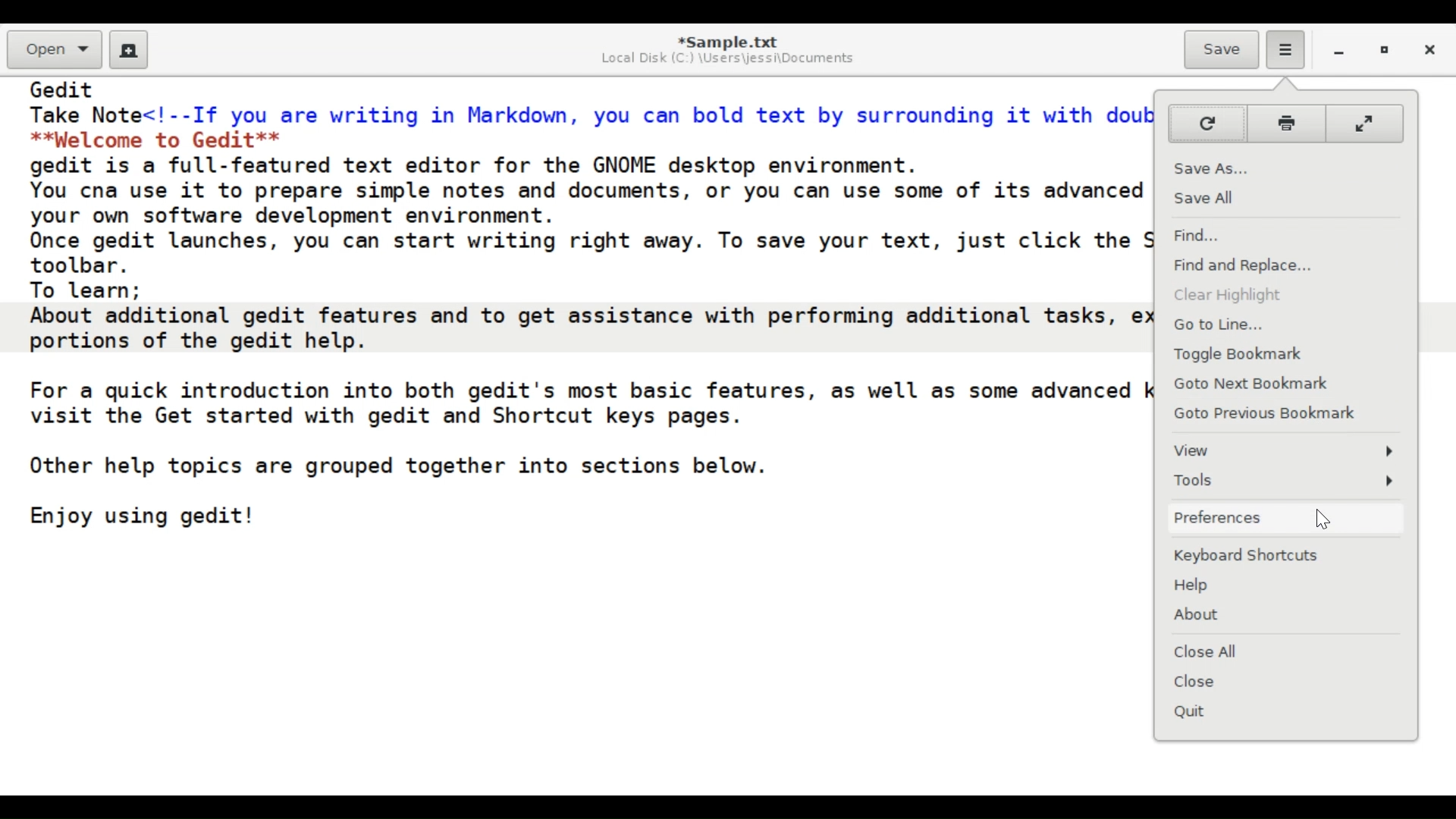 This screenshot has height=819, width=1456. Describe the element at coordinates (1286, 481) in the screenshot. I see `Tools` at that location.